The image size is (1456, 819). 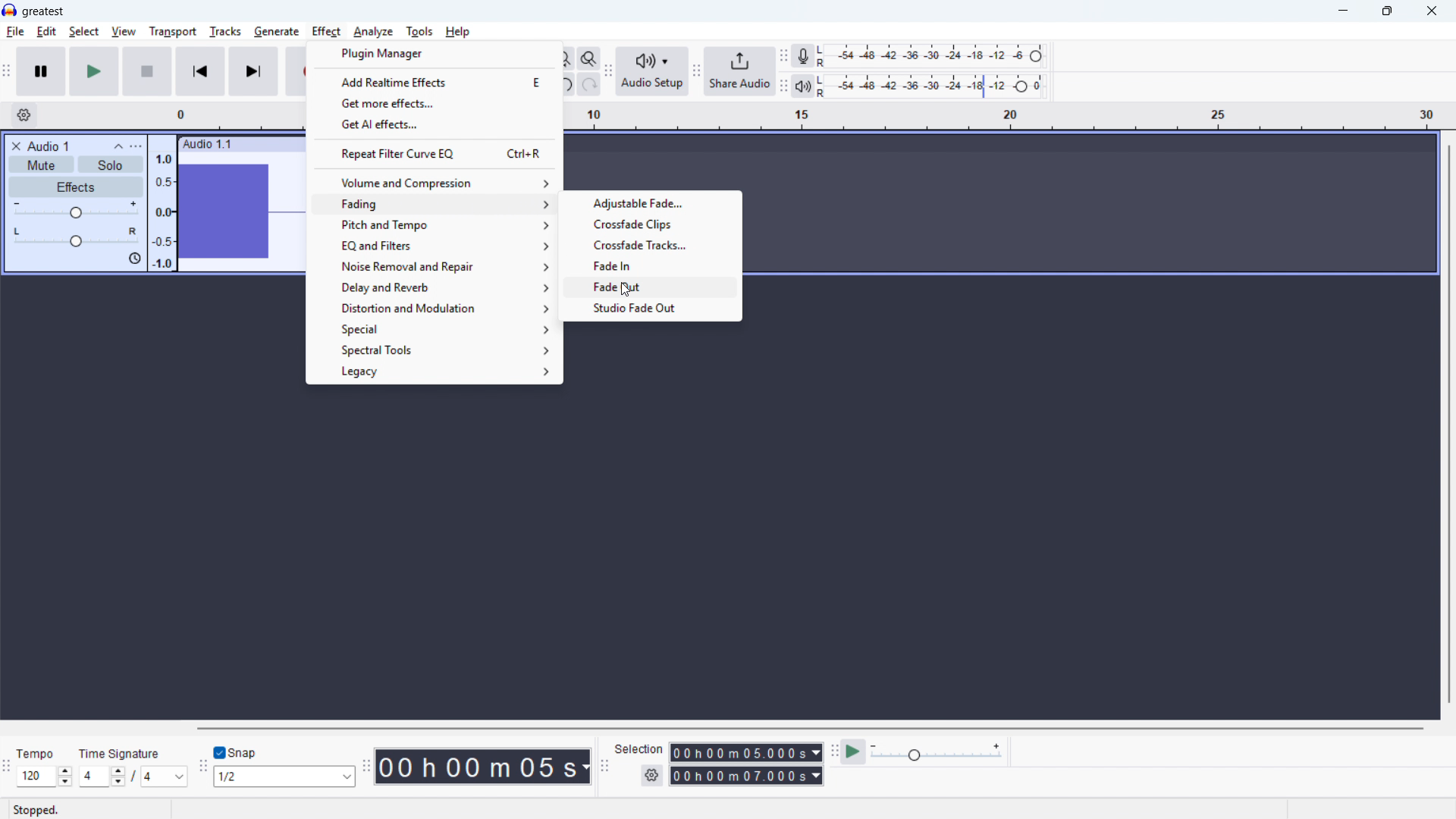 What do you see at coordinates (1345, 11) in the screenshot?
I see `minimise ` at bounding box center [1345, 11].